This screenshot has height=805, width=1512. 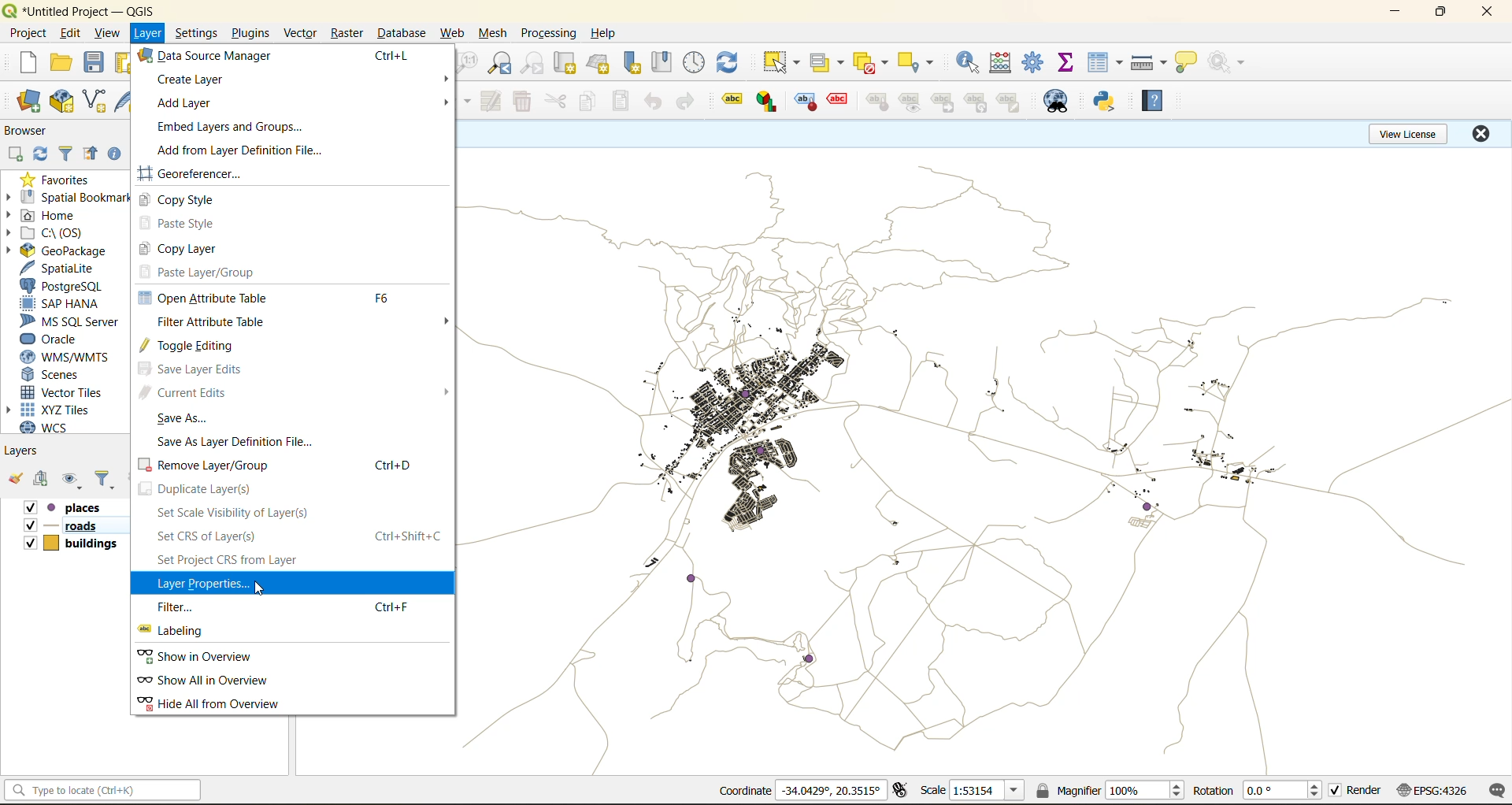 I want to click on web, so click(x=454, y=34).